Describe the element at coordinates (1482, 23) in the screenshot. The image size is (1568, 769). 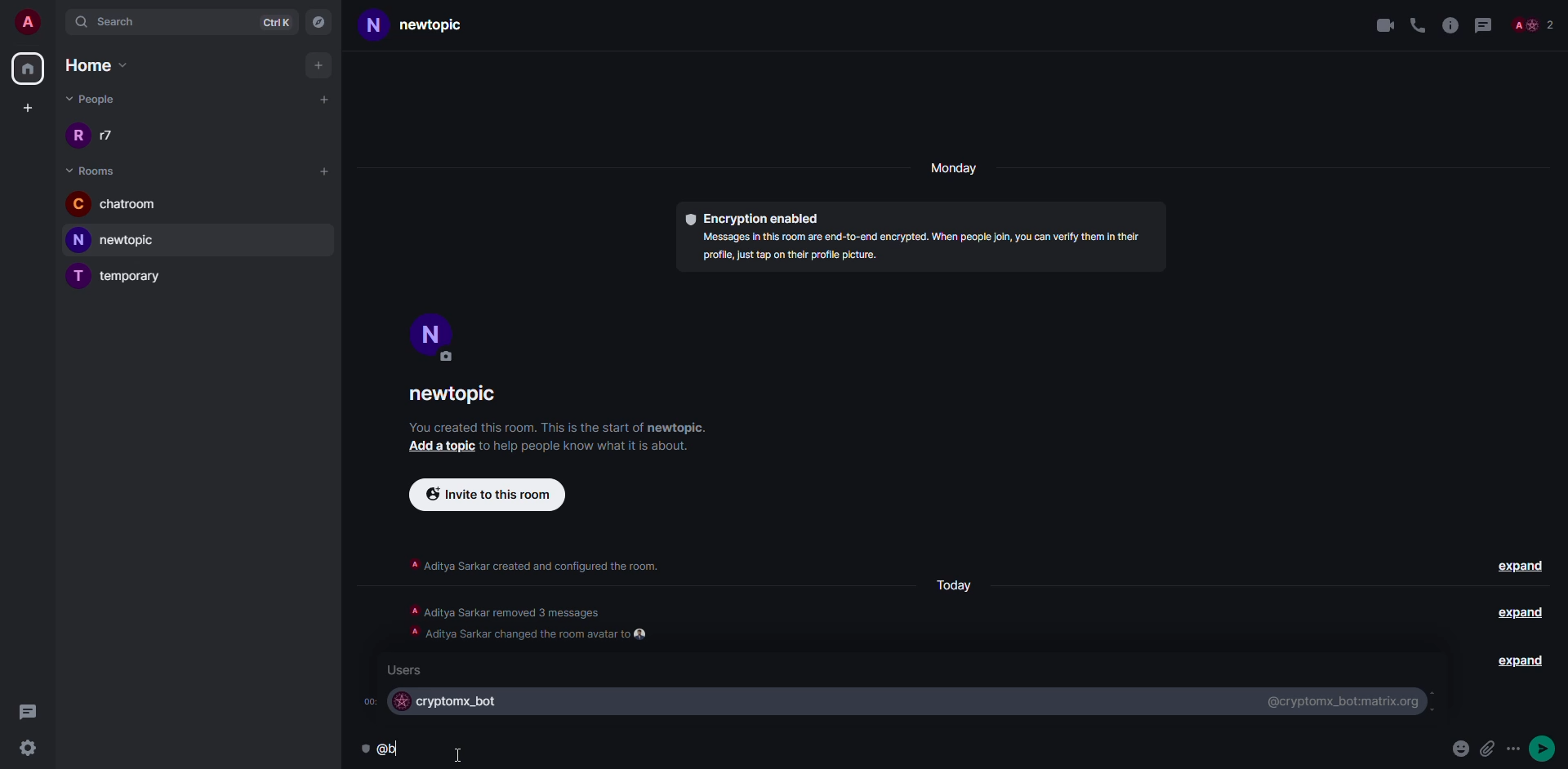
I see `threads` at that location.